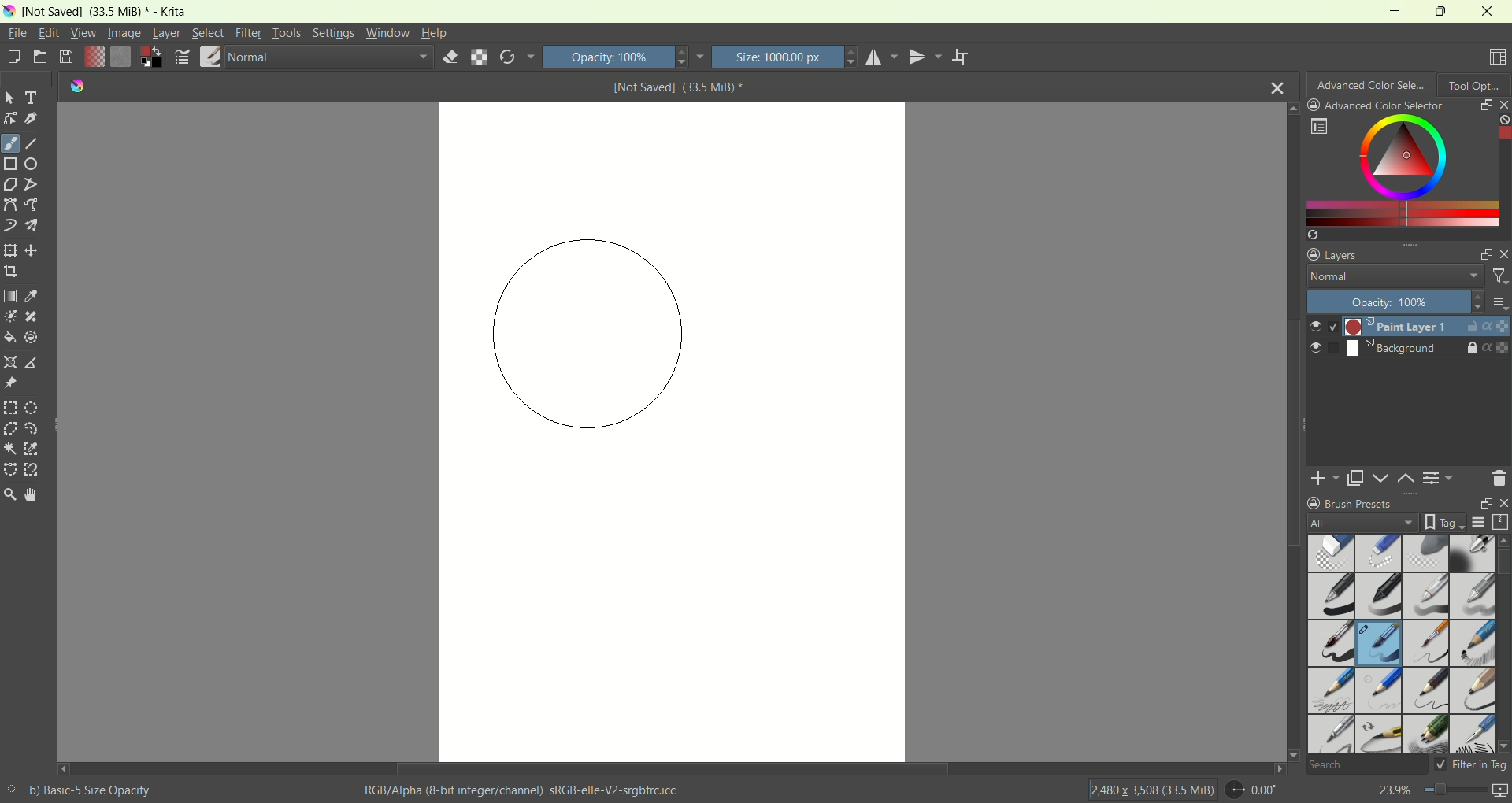  I want to click on line, so click(32, 144).